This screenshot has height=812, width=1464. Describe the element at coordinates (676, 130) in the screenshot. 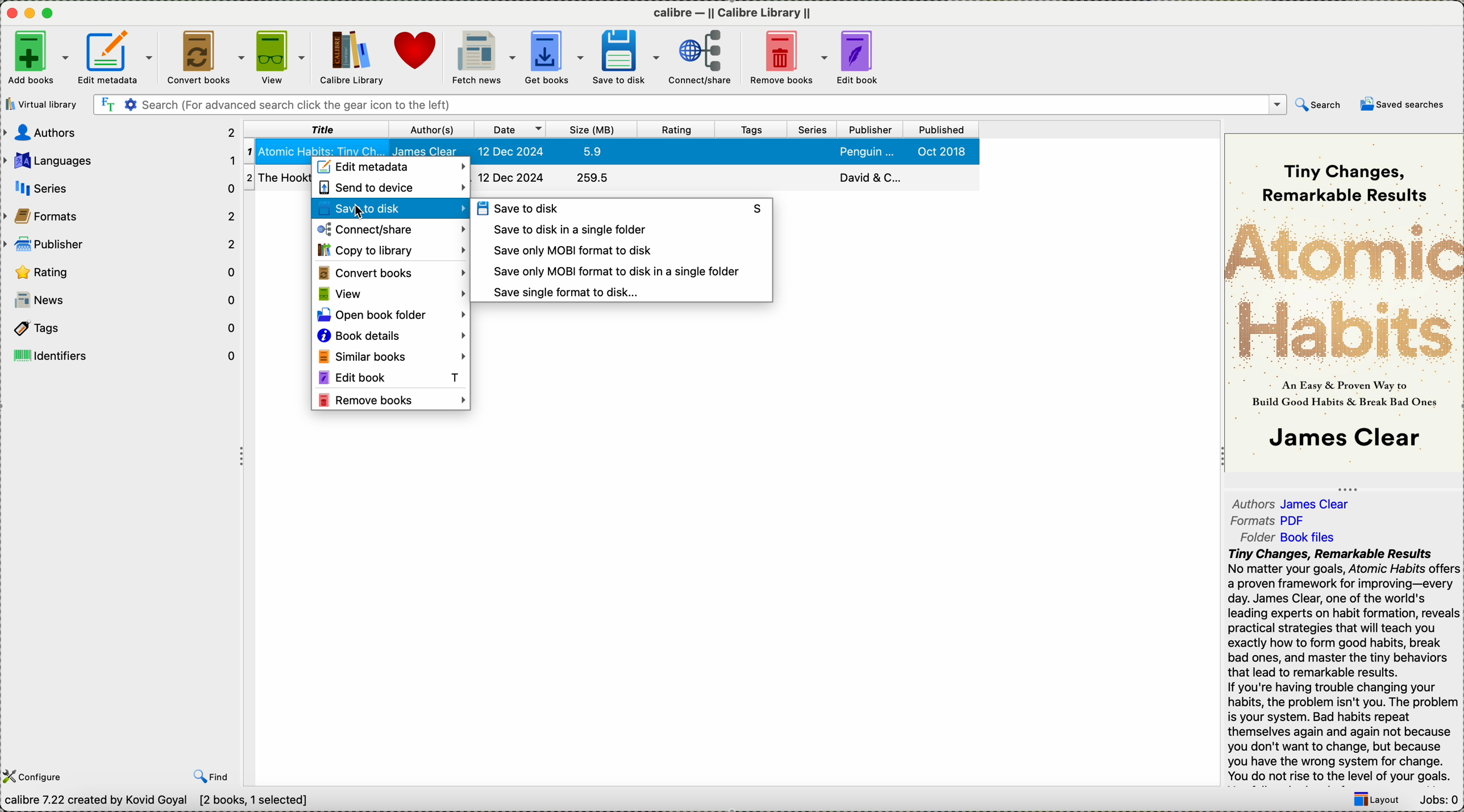

I see `rating` at that location.